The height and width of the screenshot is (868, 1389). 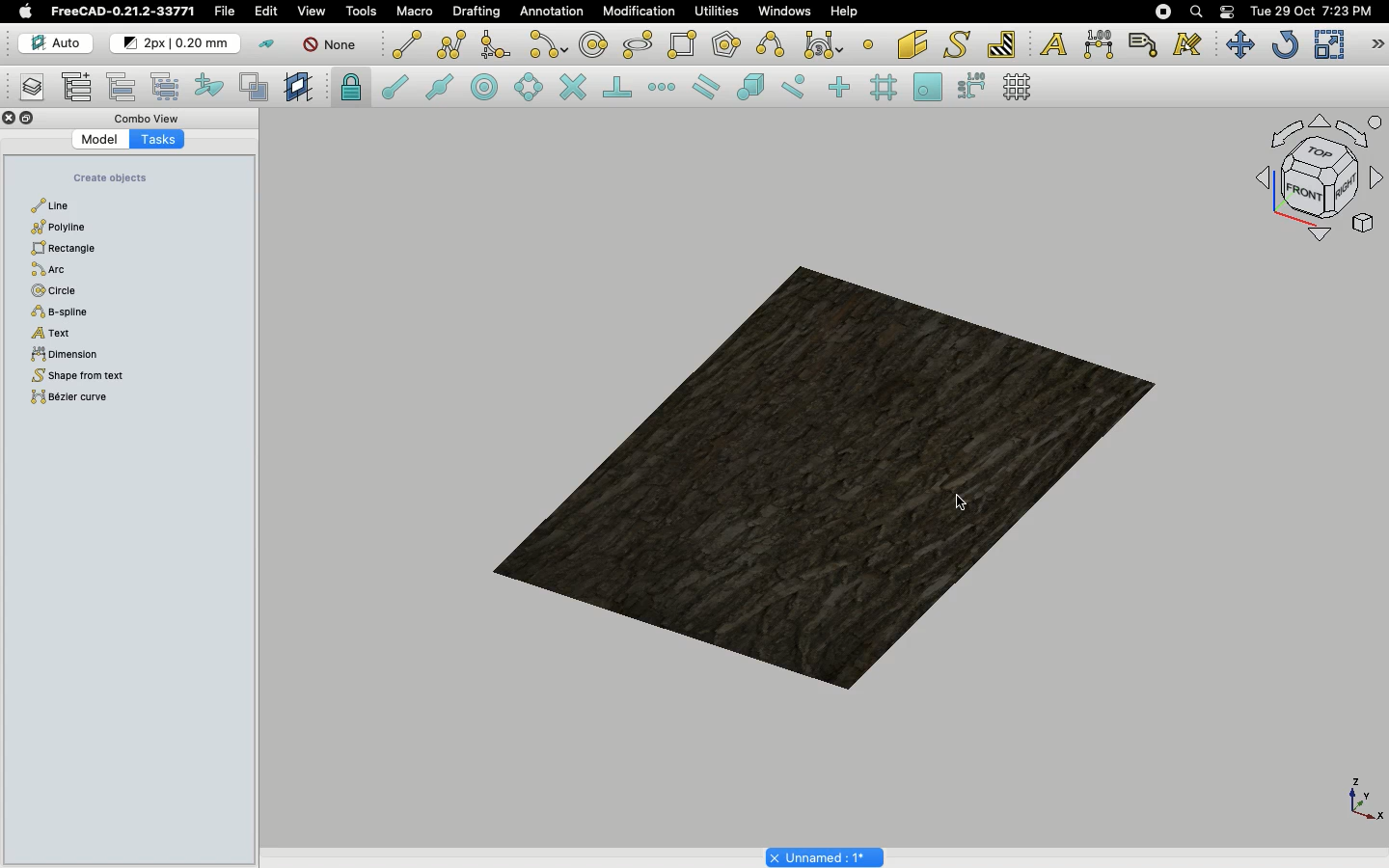 What do you see at coordinates (56, 287) in the screenshot?
I see `Circle` at bounding box center [56, 287].